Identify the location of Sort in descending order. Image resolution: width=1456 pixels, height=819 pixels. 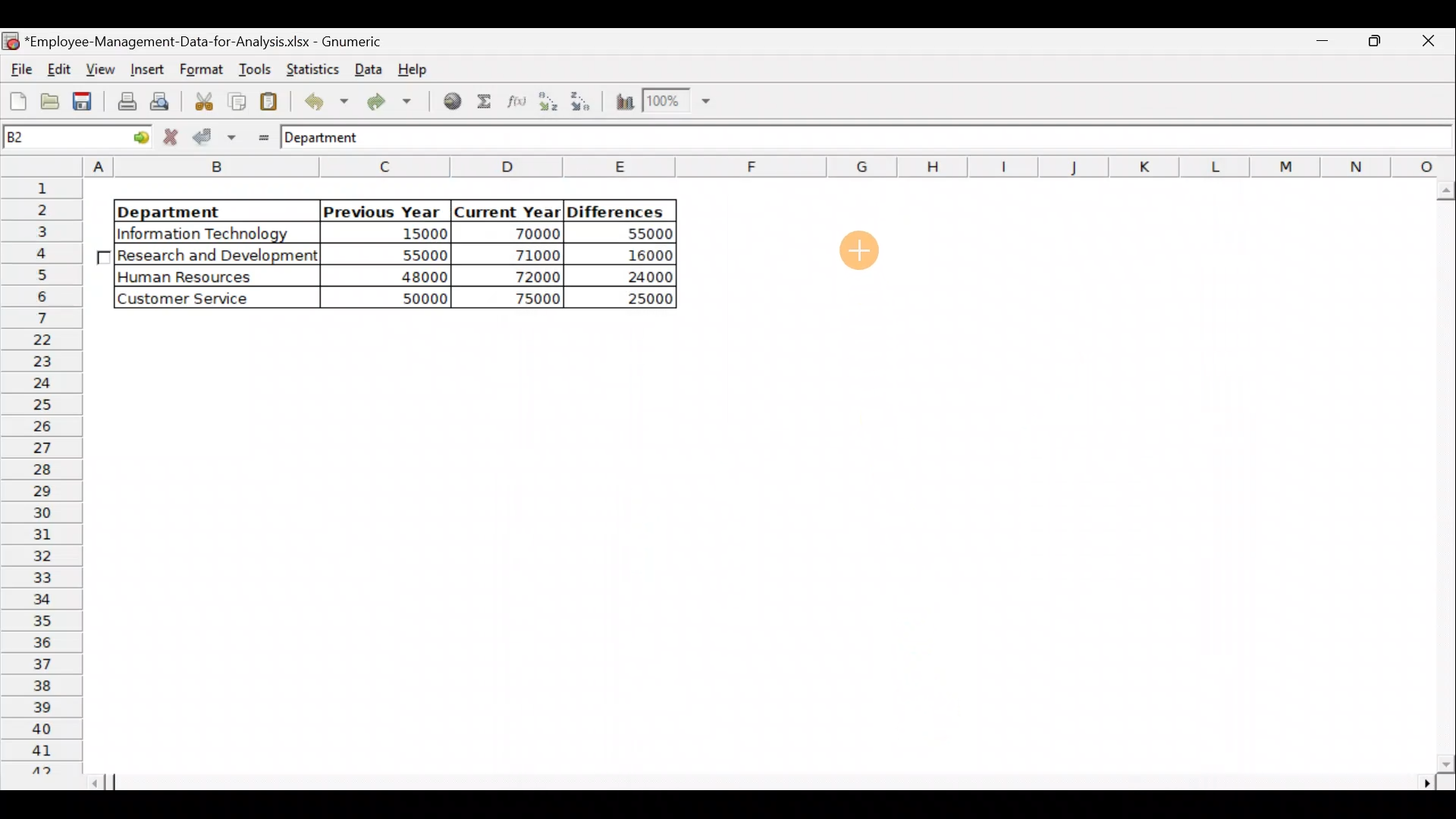
(582, 102).